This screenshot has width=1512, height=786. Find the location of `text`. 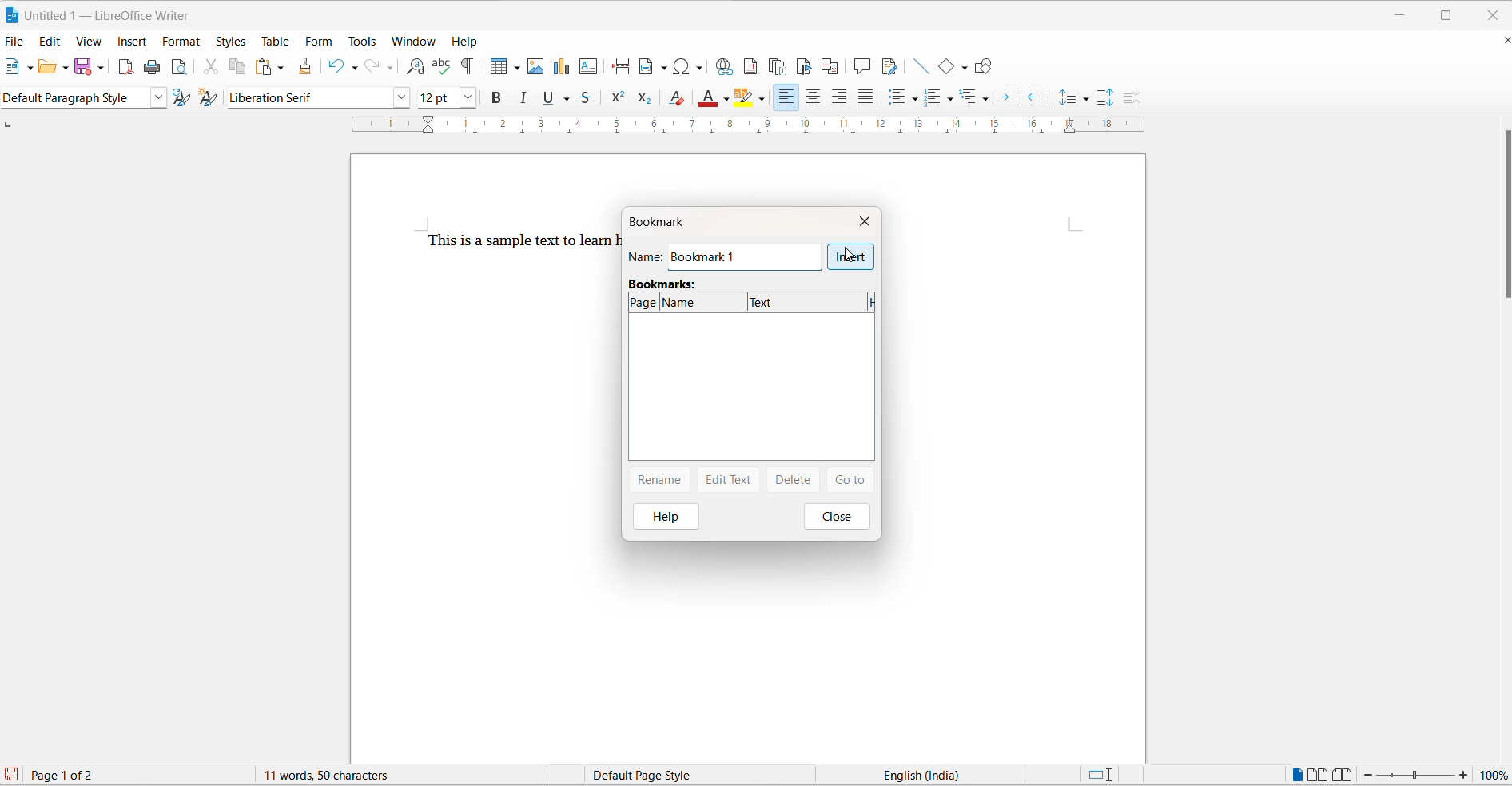

text is located at coordinates (809, 302).